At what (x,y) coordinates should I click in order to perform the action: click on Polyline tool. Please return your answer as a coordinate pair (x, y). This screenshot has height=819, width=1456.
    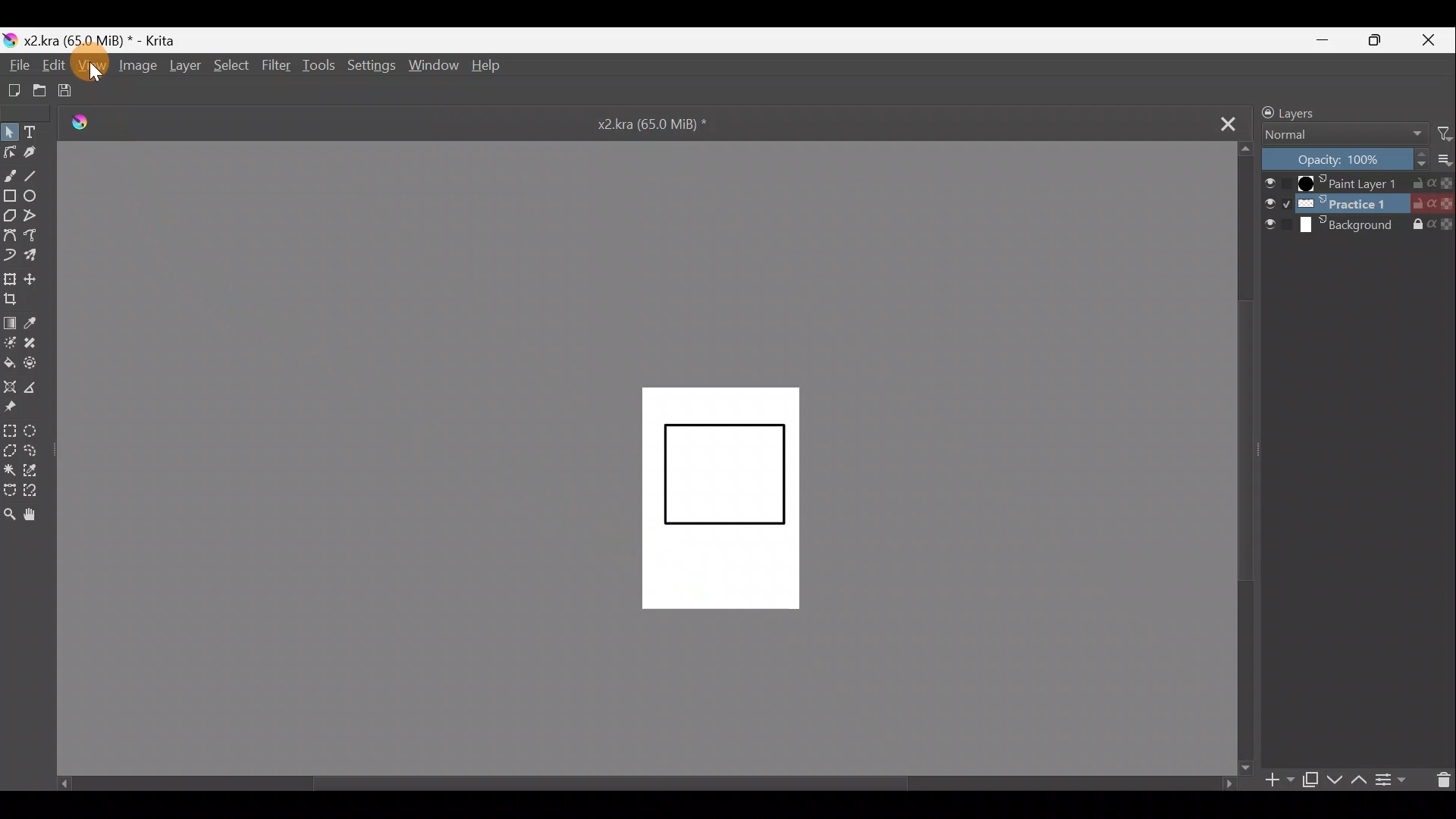
    Looking at the image, I should click on (35, 215).